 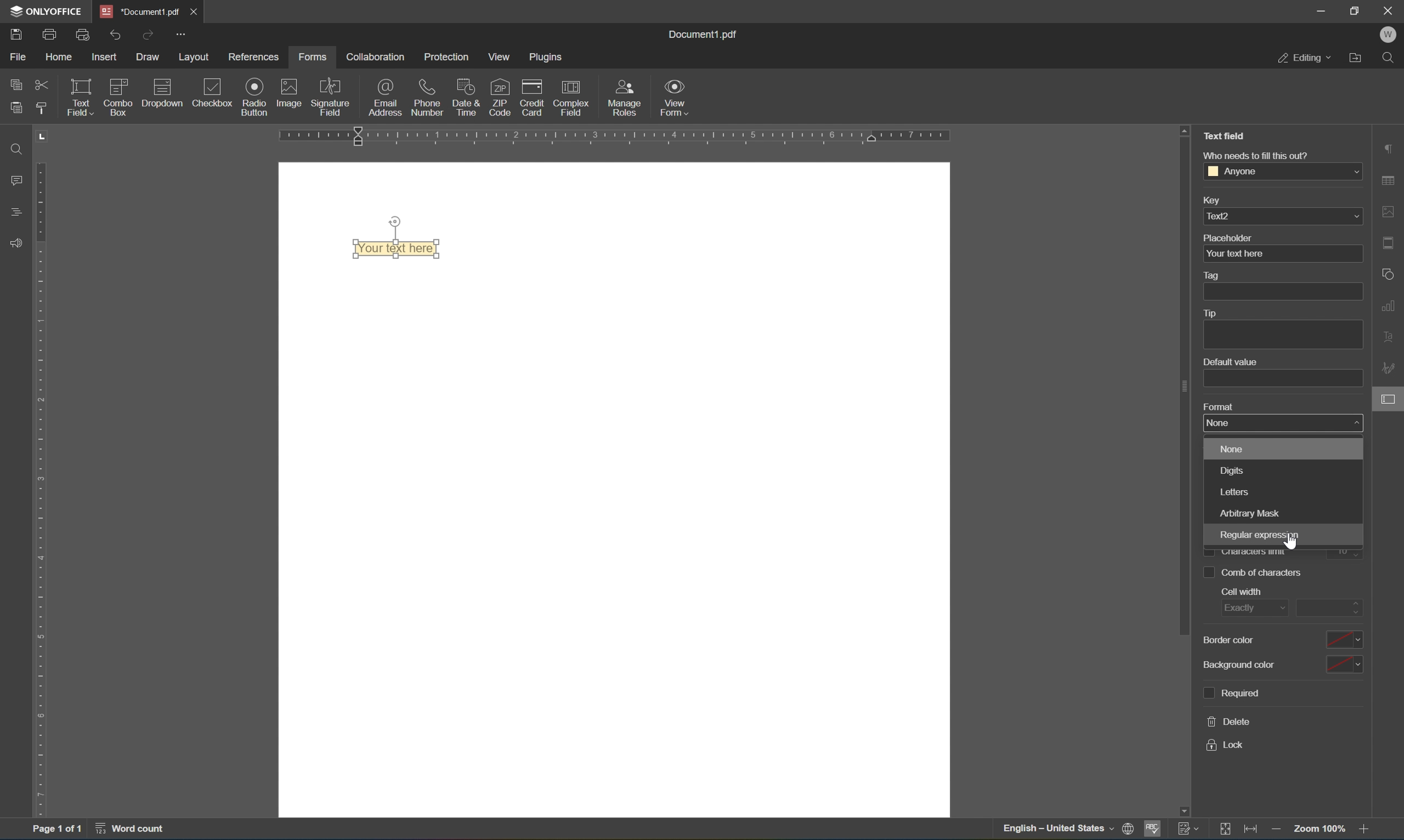 What do you see at coordinates (1226, 136) in the screenshot?
I see `Text Field` at bounding box center [1226, 136].